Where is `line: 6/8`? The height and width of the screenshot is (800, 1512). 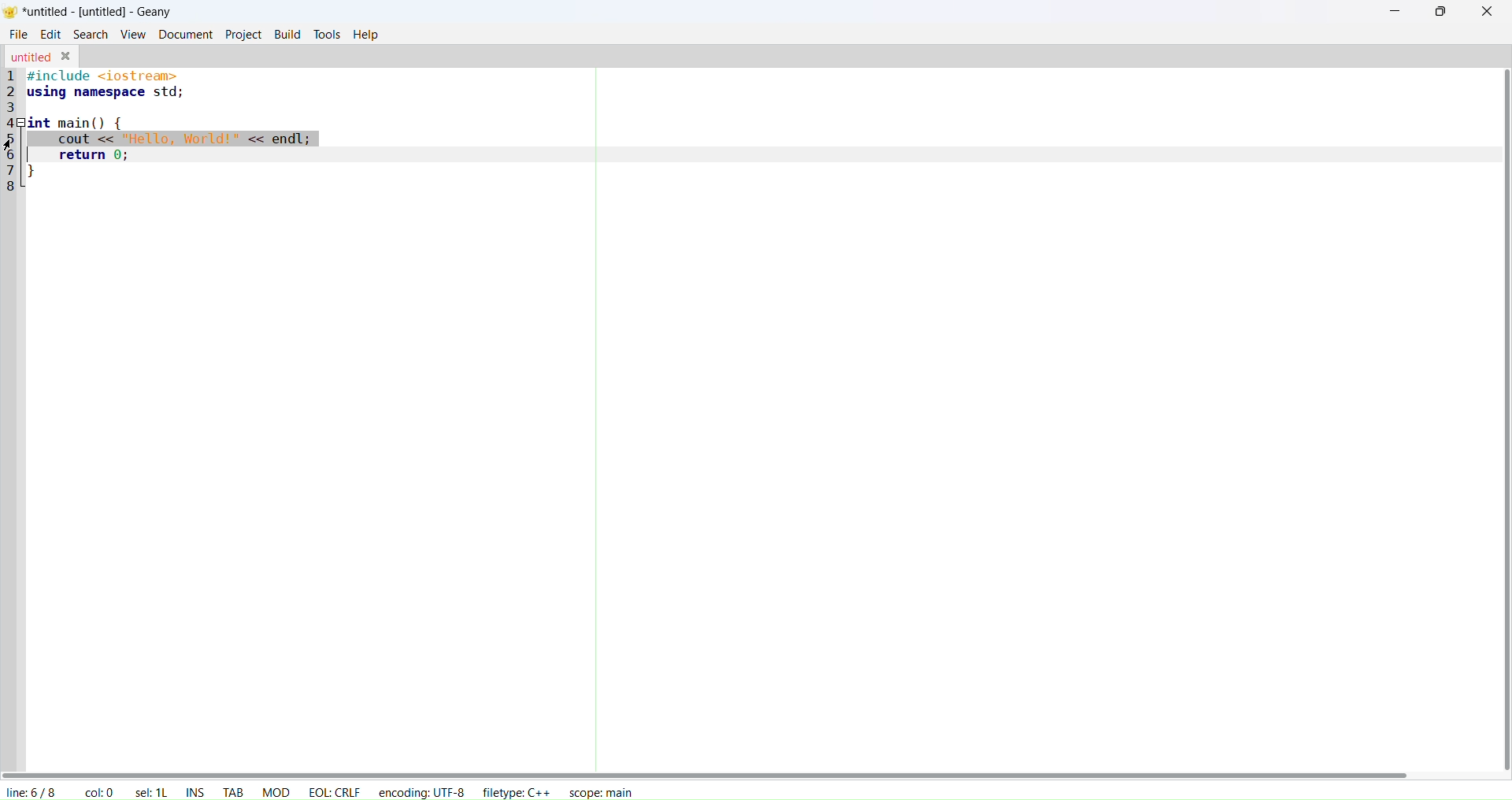
line: 6/8 is located at coordinates (31, 791).